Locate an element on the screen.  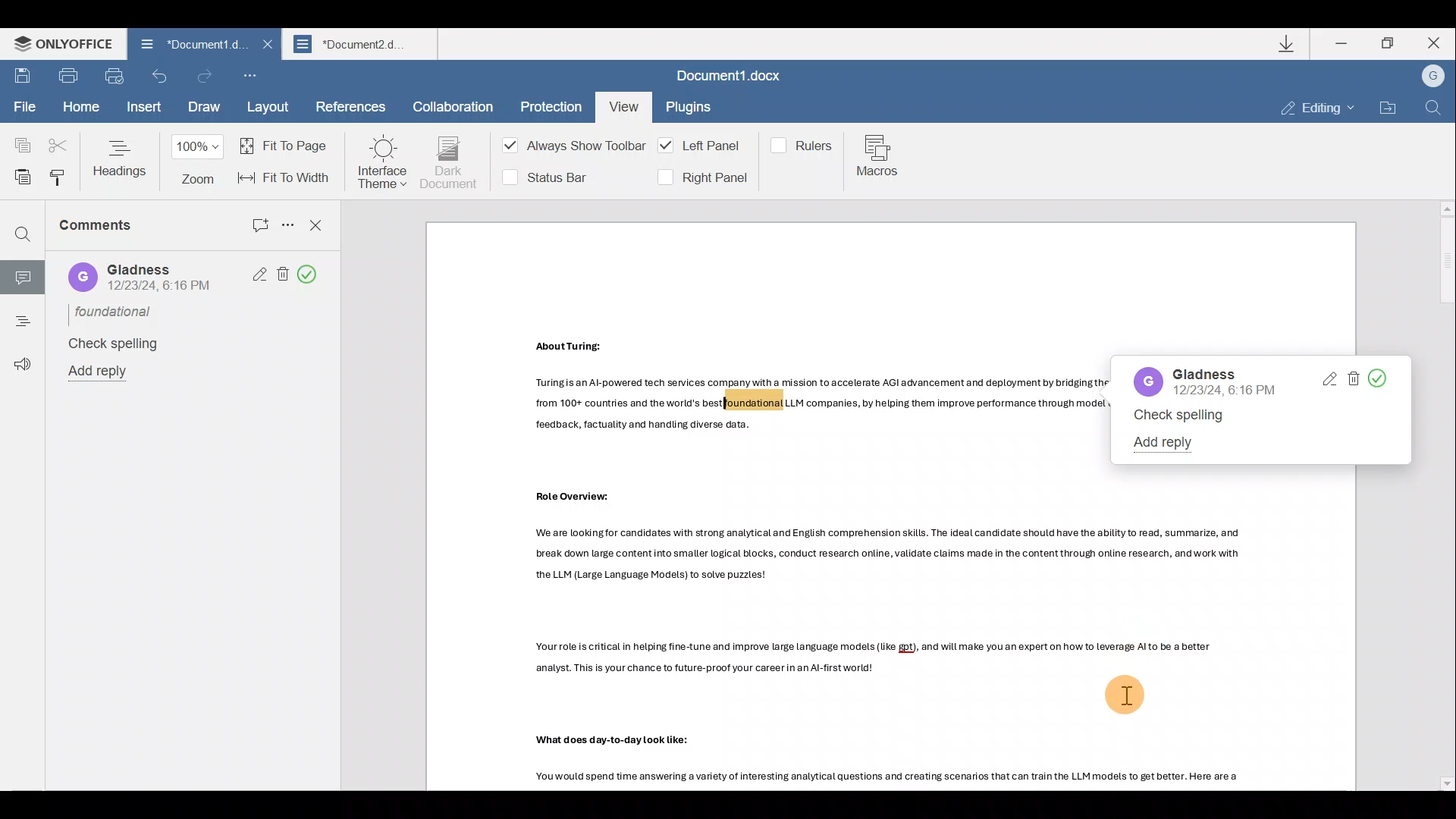
Delete comment is located at coordinates (1354, 380).